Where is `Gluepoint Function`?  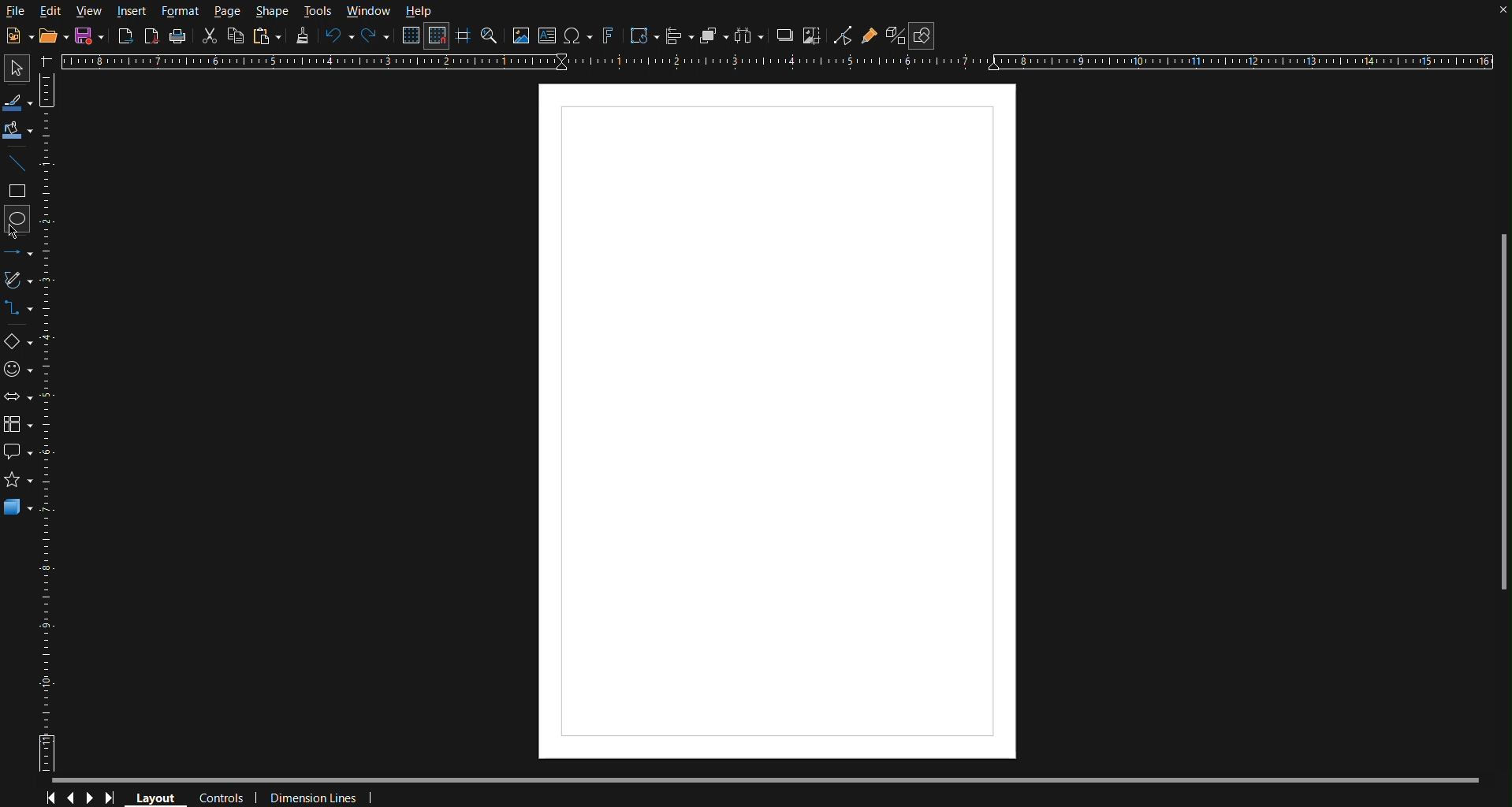
Gluepoint Function is located at coordinates (870, 37).